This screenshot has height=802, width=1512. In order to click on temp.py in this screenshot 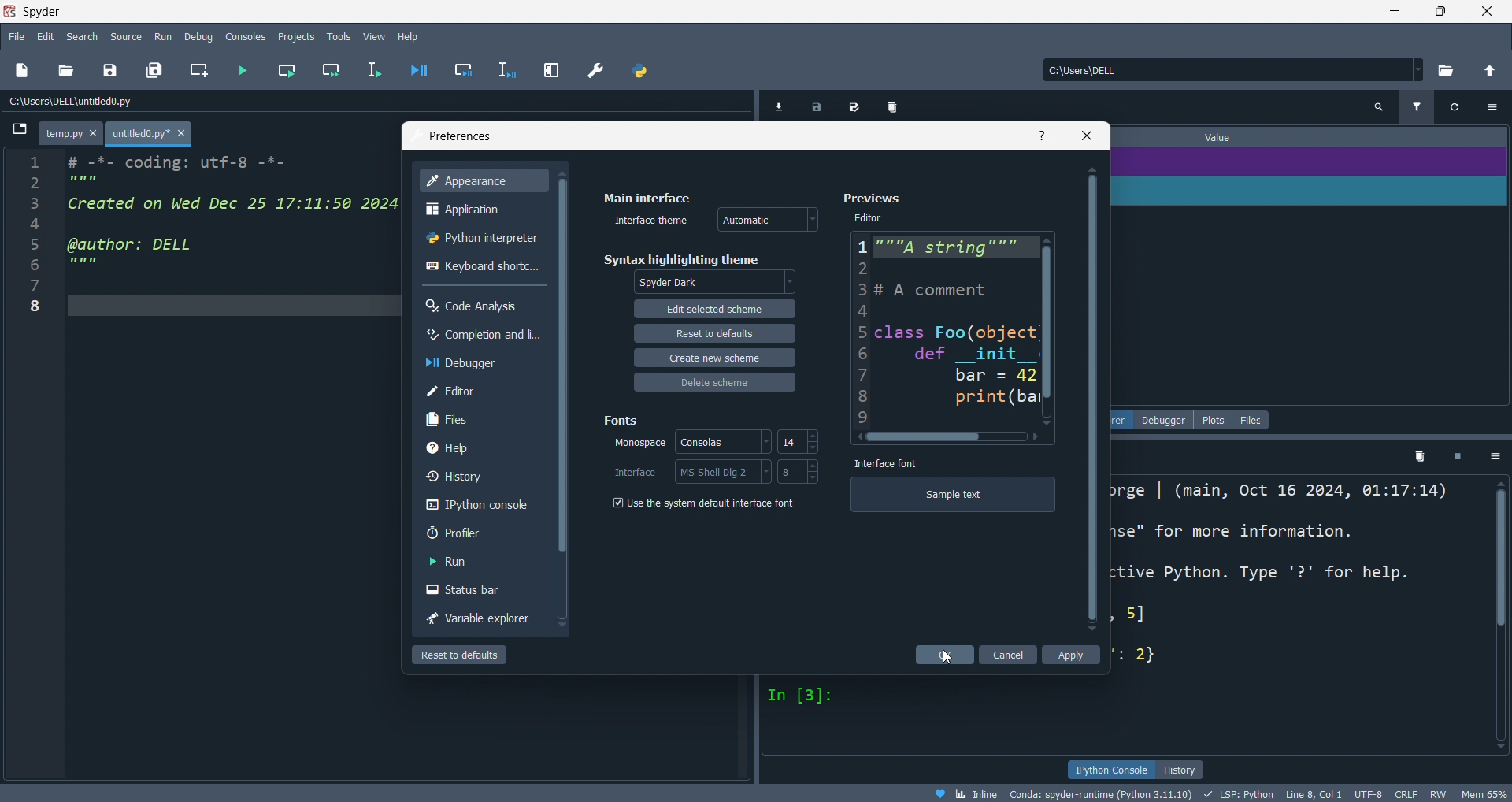, I will do `click(75, 132)`.